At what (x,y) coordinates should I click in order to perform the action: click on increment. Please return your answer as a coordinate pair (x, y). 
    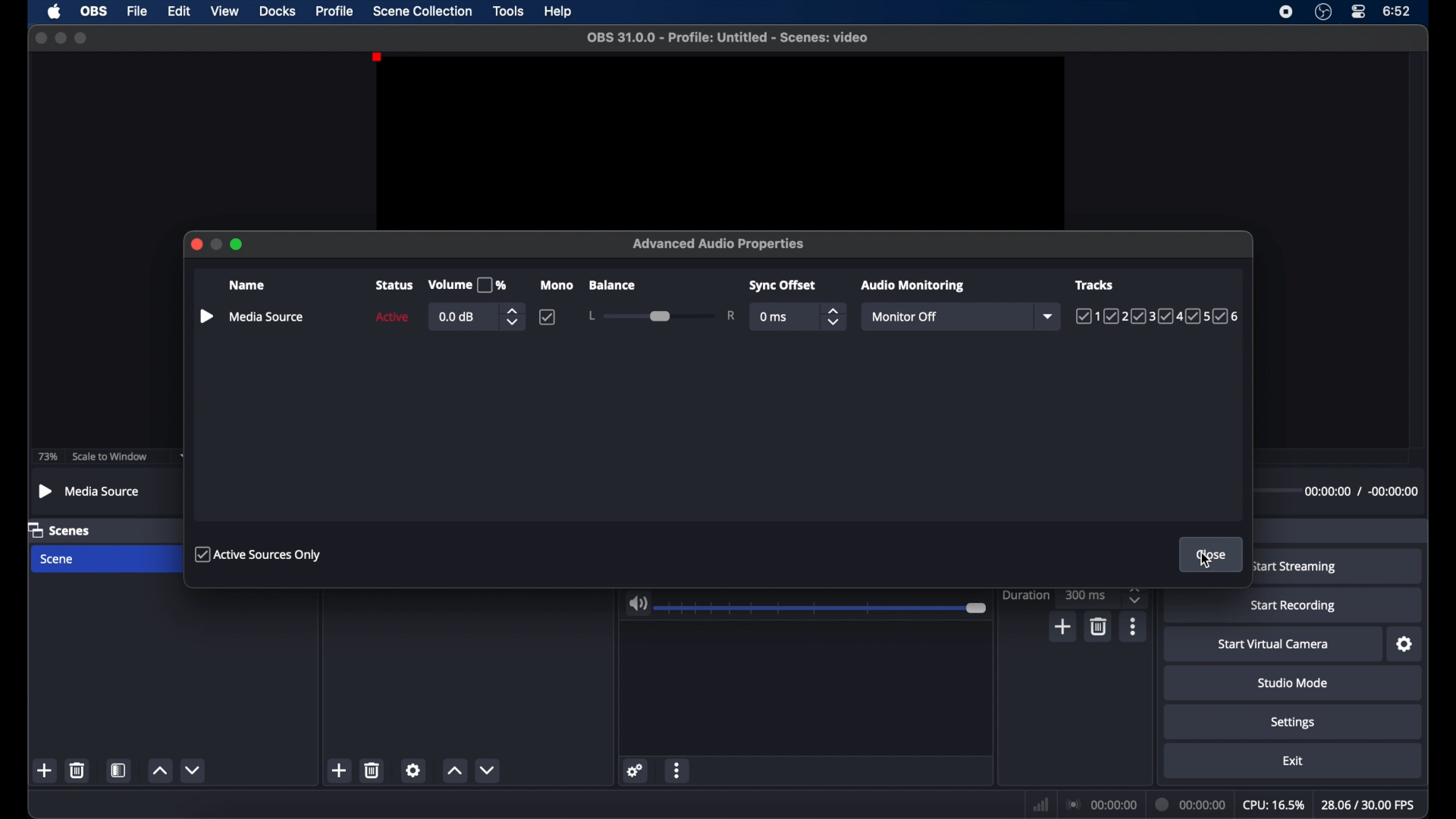
    Looking at the image, I should click on (158, 770).